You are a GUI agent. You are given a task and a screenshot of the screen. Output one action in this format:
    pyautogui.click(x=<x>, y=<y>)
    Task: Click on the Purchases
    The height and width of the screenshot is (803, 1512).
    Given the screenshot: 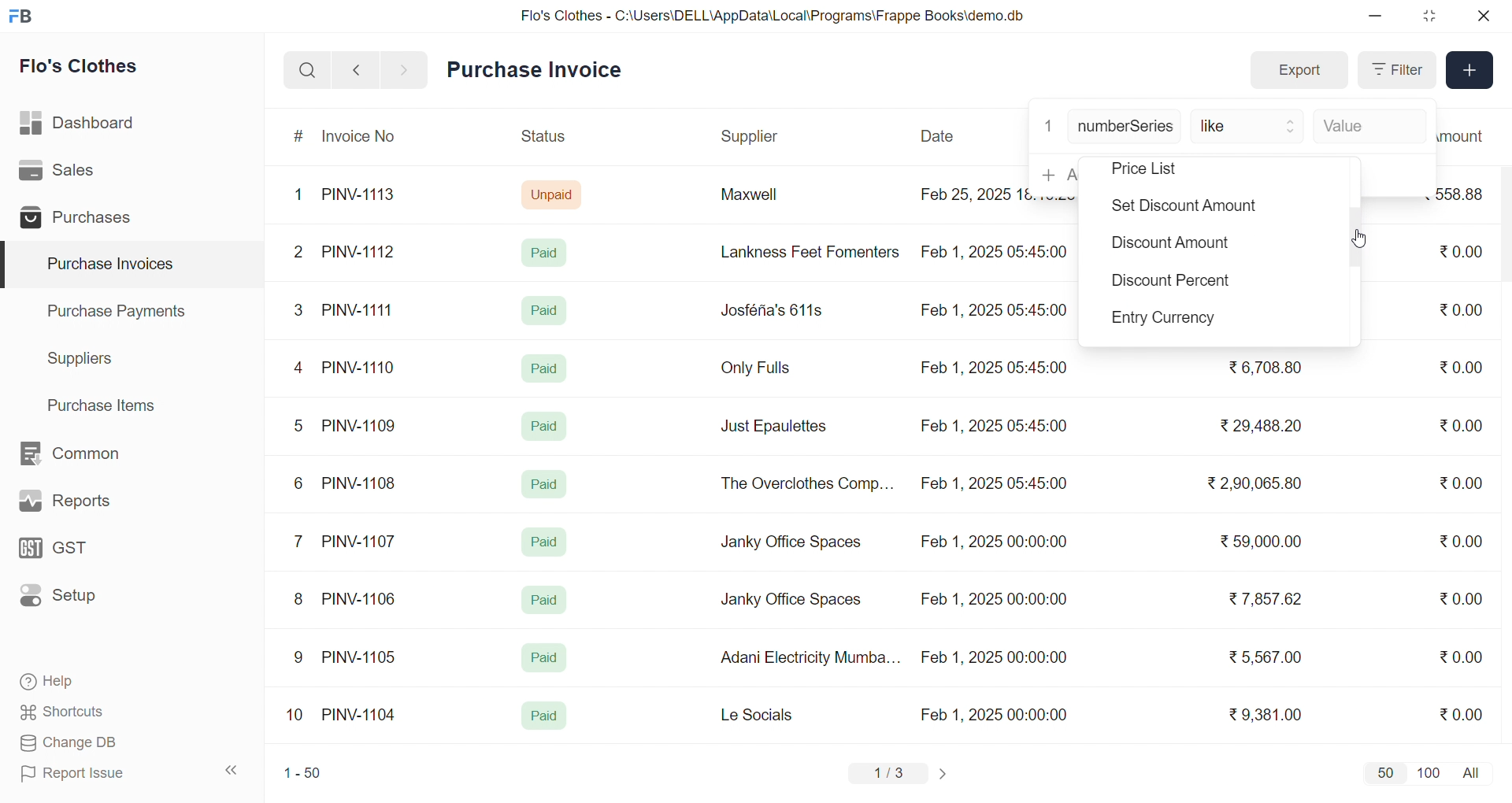 What is the action you would take?
    pyautogui.click(x=81, y=220)
    